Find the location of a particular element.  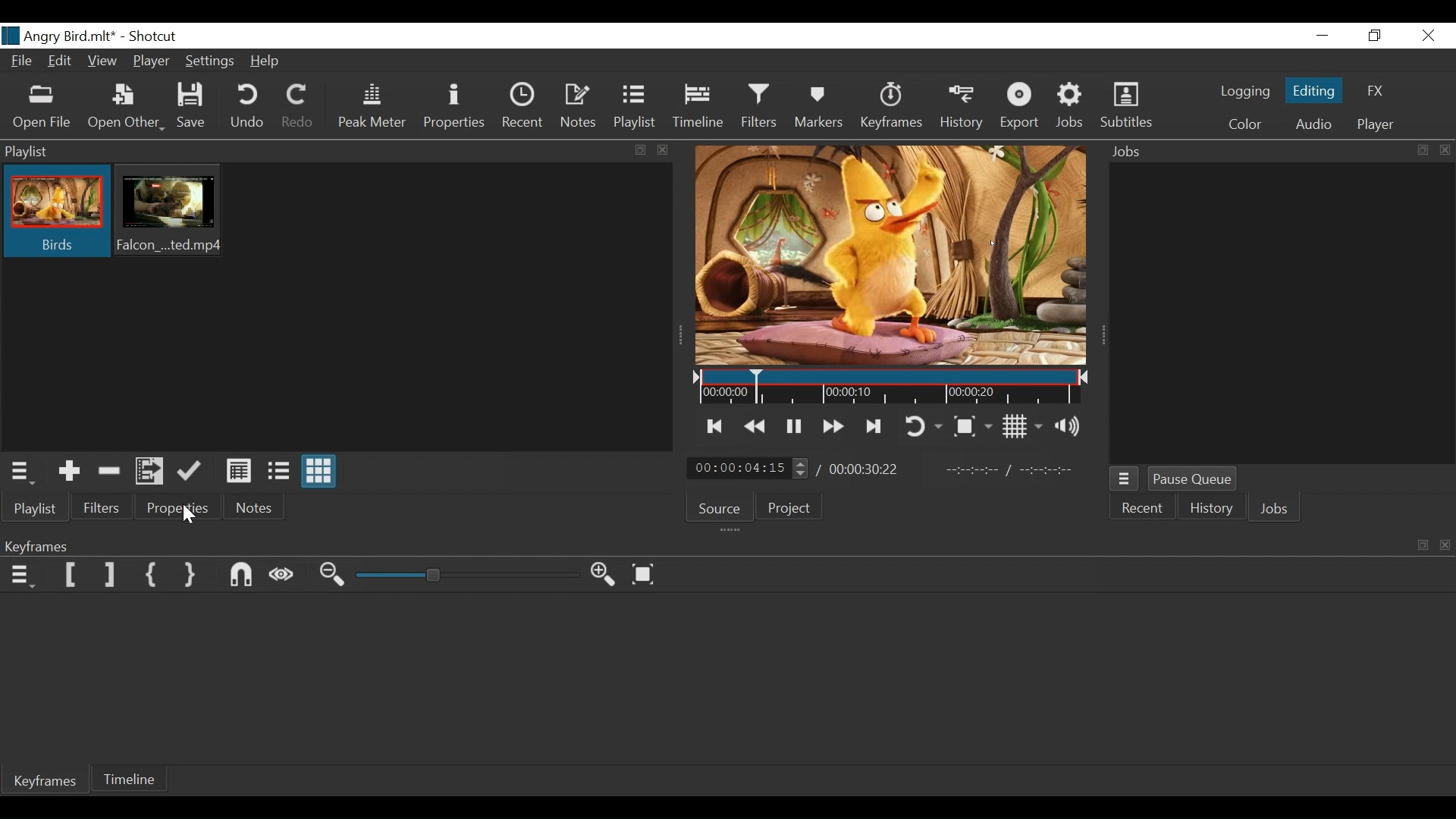

In point is located at coordinates (1009, 470).